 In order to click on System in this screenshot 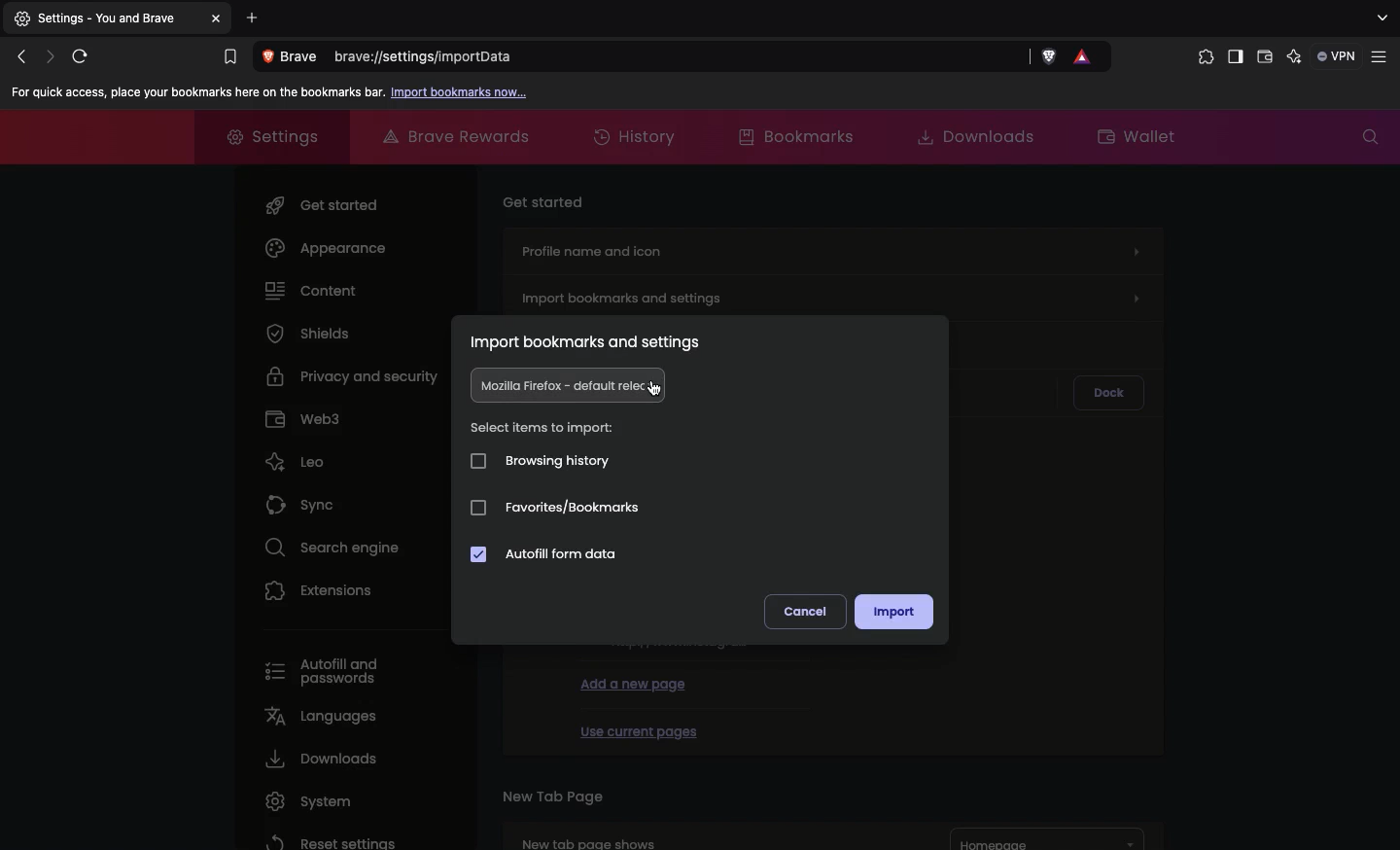, I will do `click(303, 801)`.